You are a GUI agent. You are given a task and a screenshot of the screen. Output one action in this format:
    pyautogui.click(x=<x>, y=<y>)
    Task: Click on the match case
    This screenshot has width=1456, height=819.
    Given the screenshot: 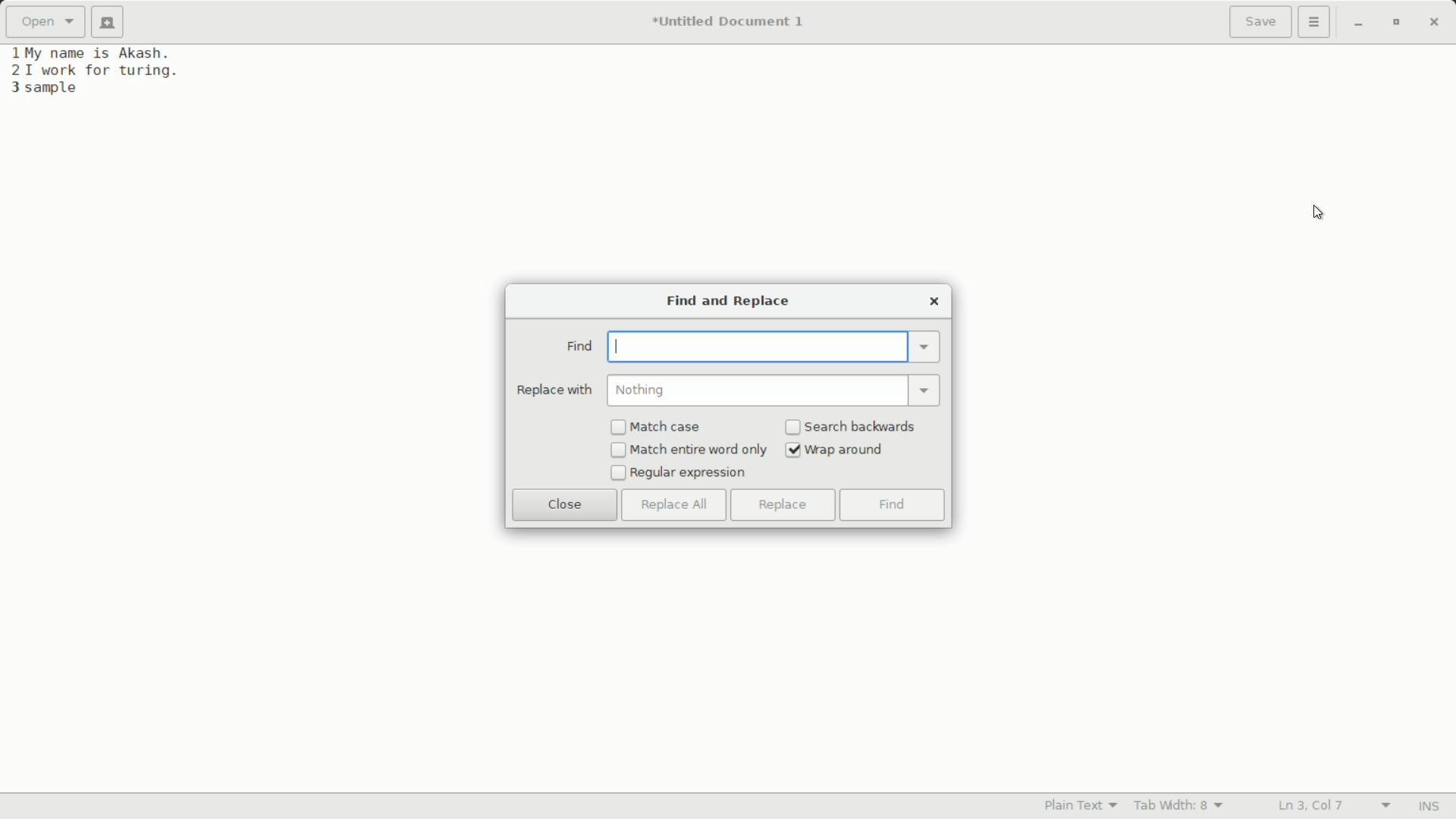 What is the action you would take?
    pyautogui.click(x=668, y=428)
    